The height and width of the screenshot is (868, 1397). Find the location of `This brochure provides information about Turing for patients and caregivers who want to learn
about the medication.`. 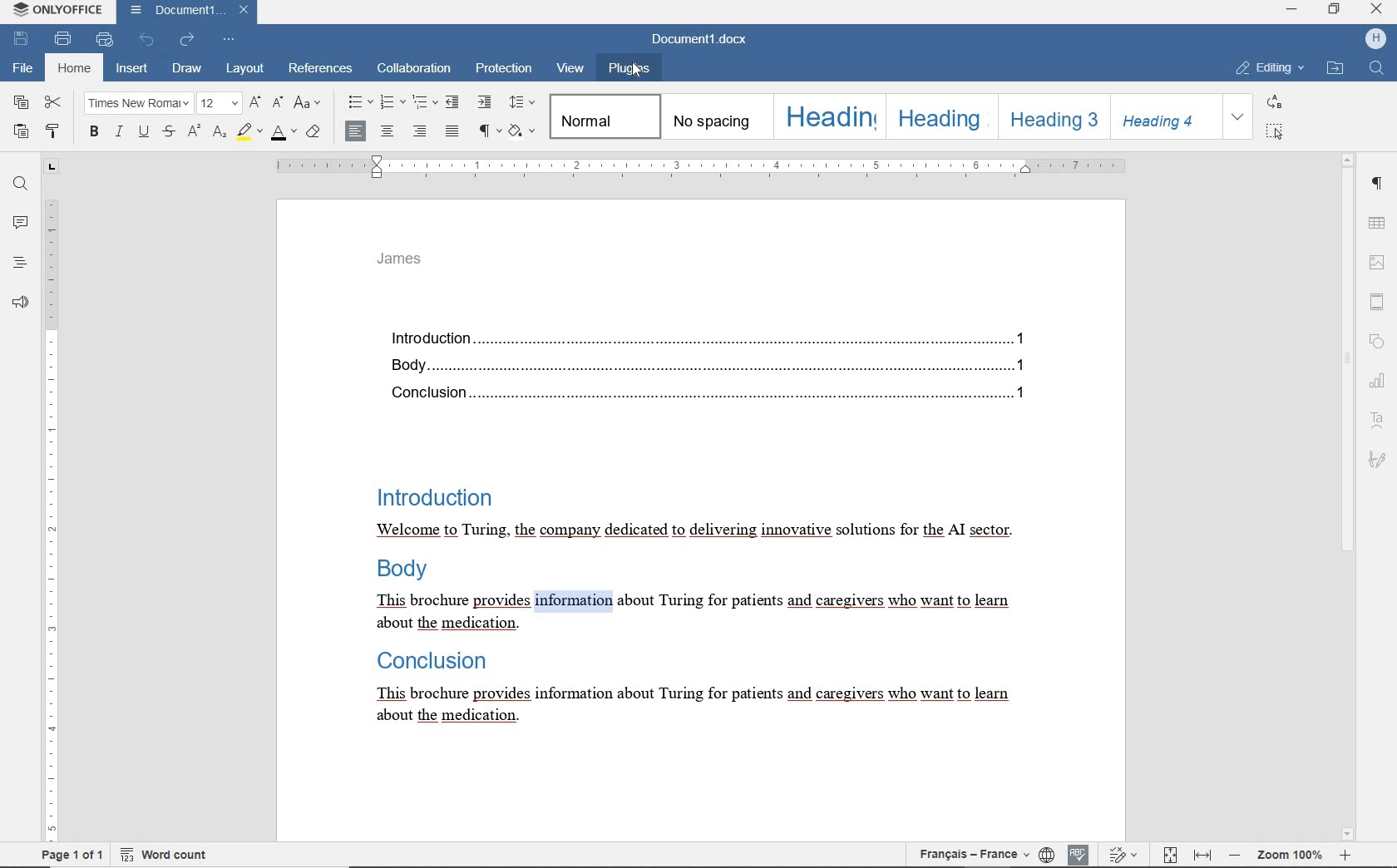

This brochure provides information about Turing for patients and caregivers who want to learn
about the medication. is located at coordinates (689, 706).